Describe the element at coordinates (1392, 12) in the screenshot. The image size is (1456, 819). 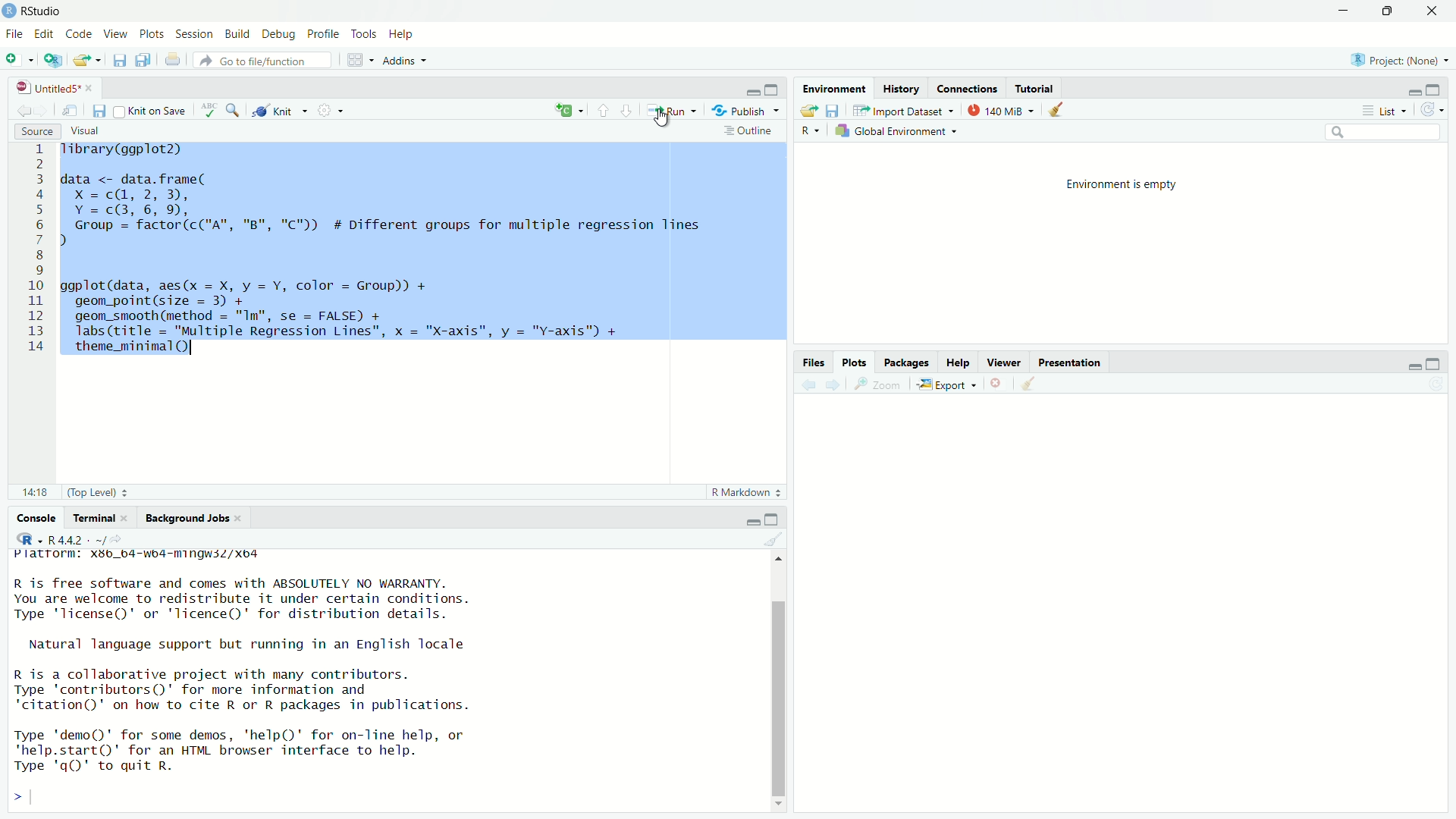
I see `maximise` at that location.